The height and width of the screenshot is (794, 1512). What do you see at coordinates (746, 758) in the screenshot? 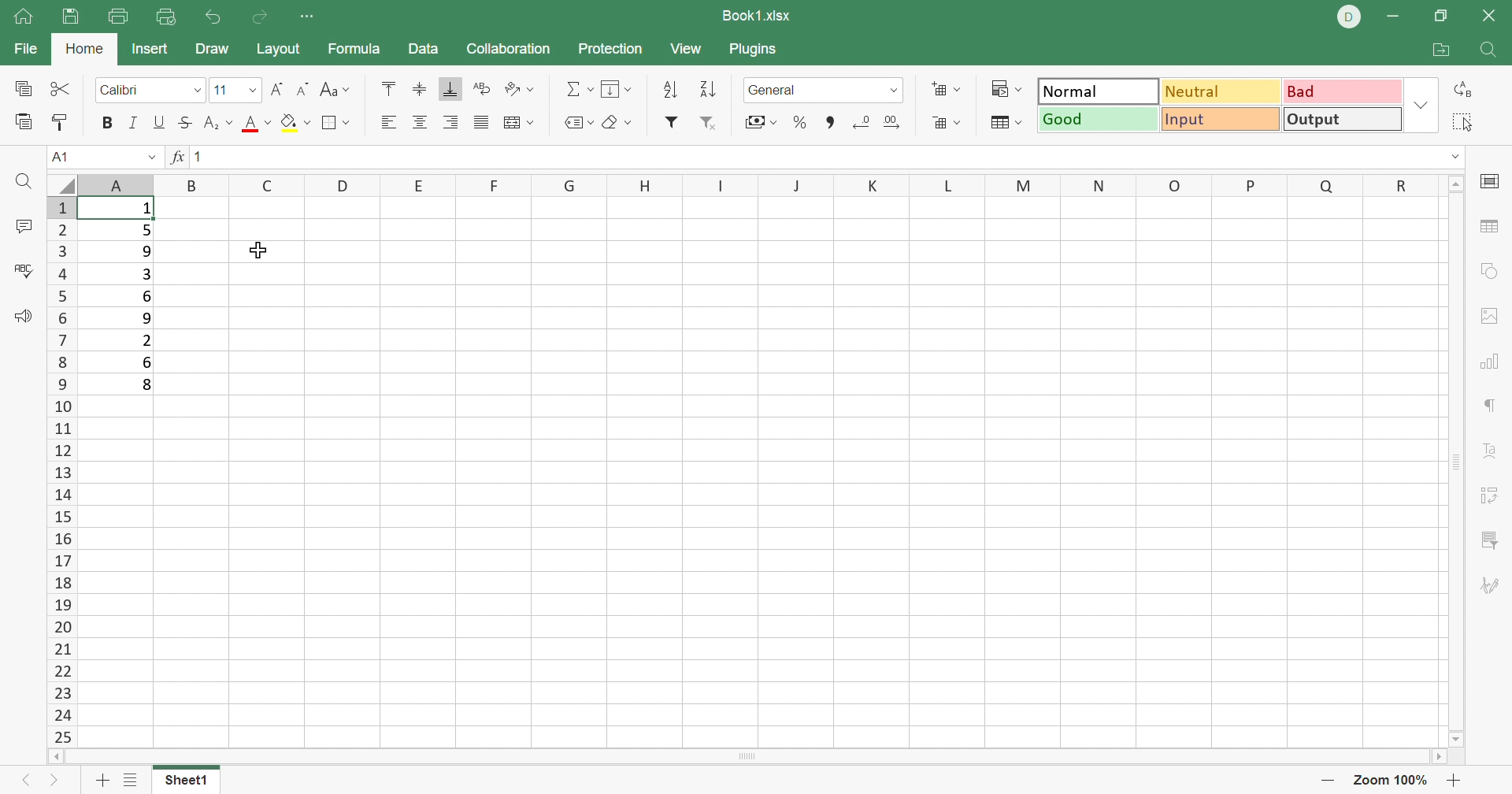
I see `Scroll Bar` at bounding box center [746, 758].